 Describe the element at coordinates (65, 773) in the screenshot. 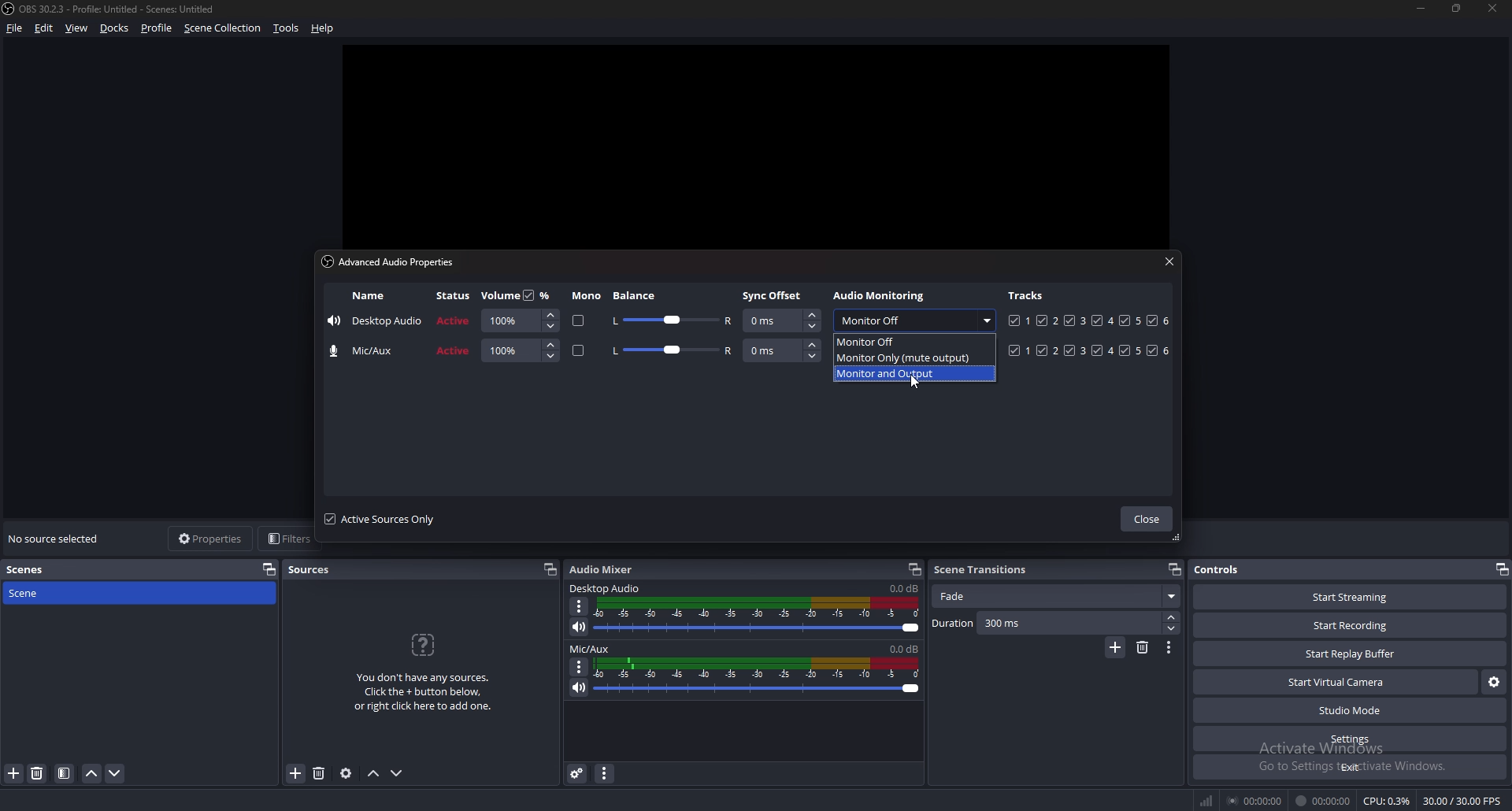

I see `filter` at that location.